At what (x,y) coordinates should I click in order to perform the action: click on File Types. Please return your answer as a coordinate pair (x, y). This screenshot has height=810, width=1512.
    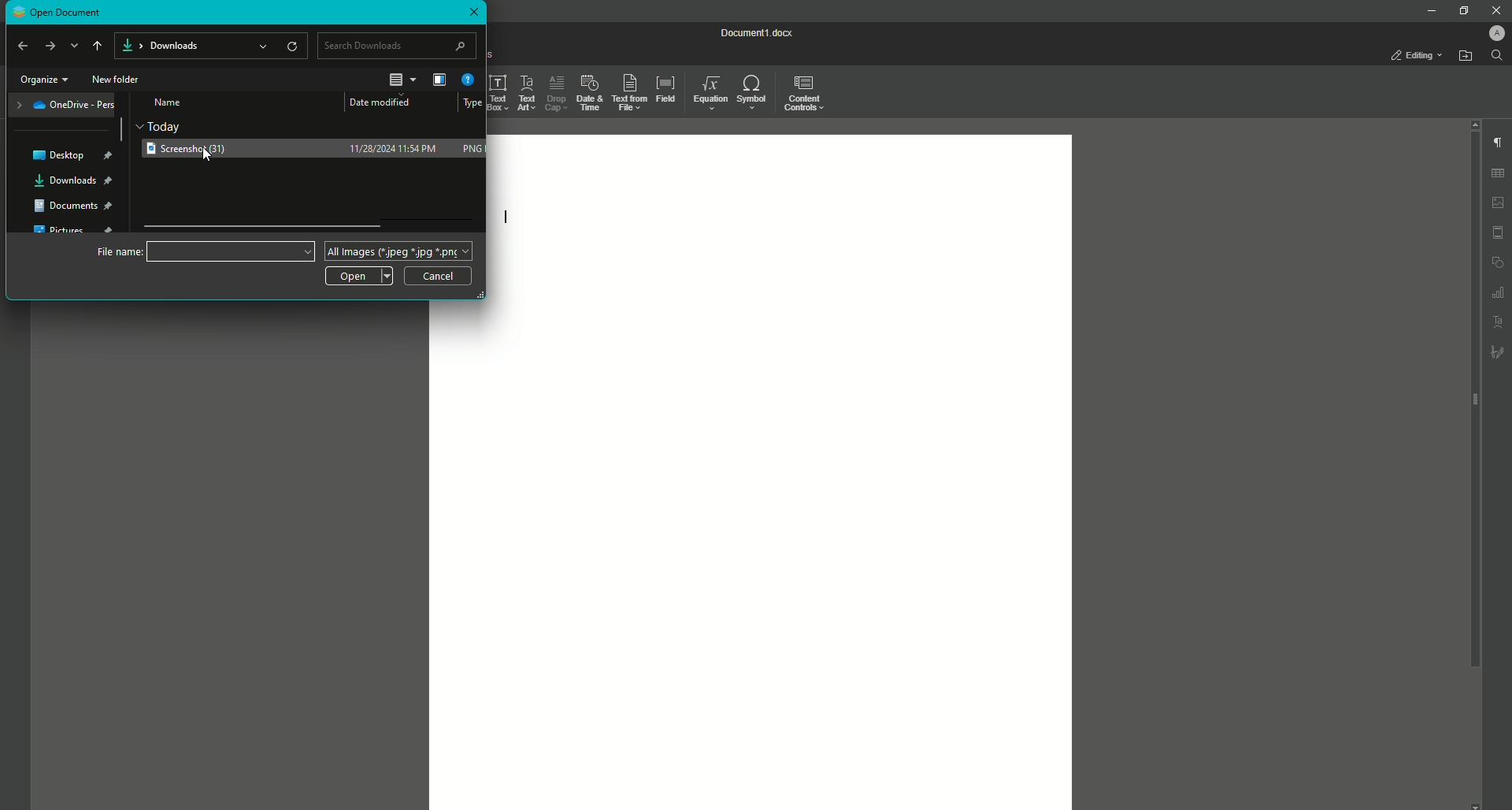
    Looking at the image, I should click on (402, 251).